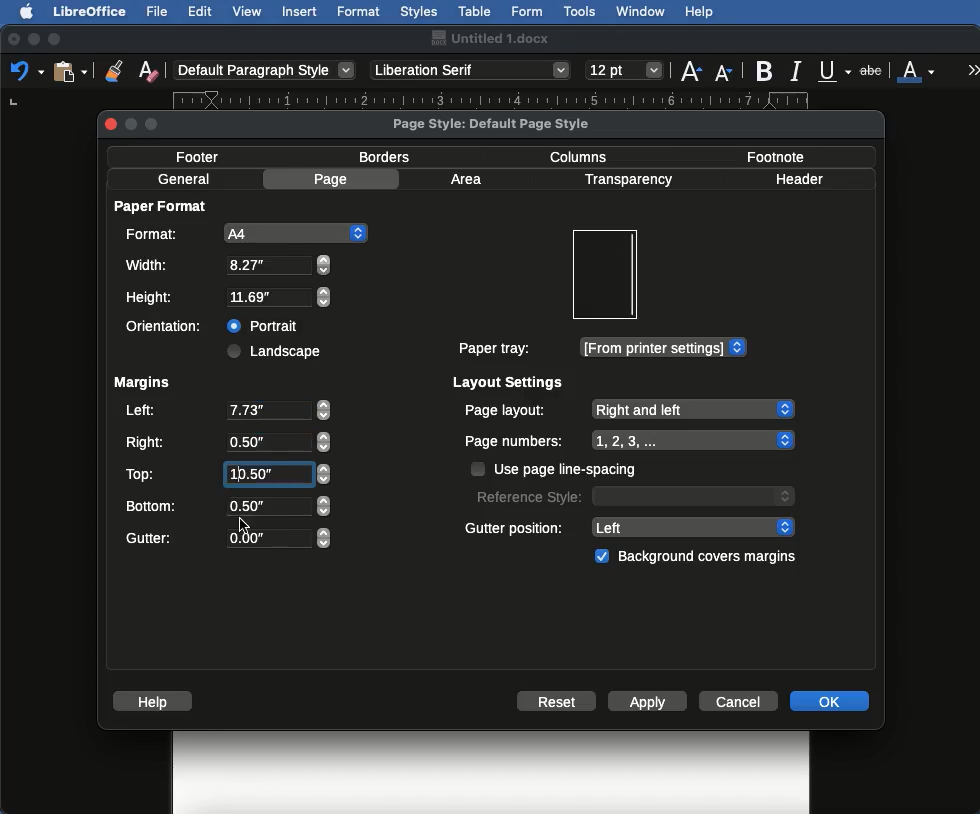 The width and height of the screenshot is (980, 814). I want to click on Clear formatting, so click(148, 69).